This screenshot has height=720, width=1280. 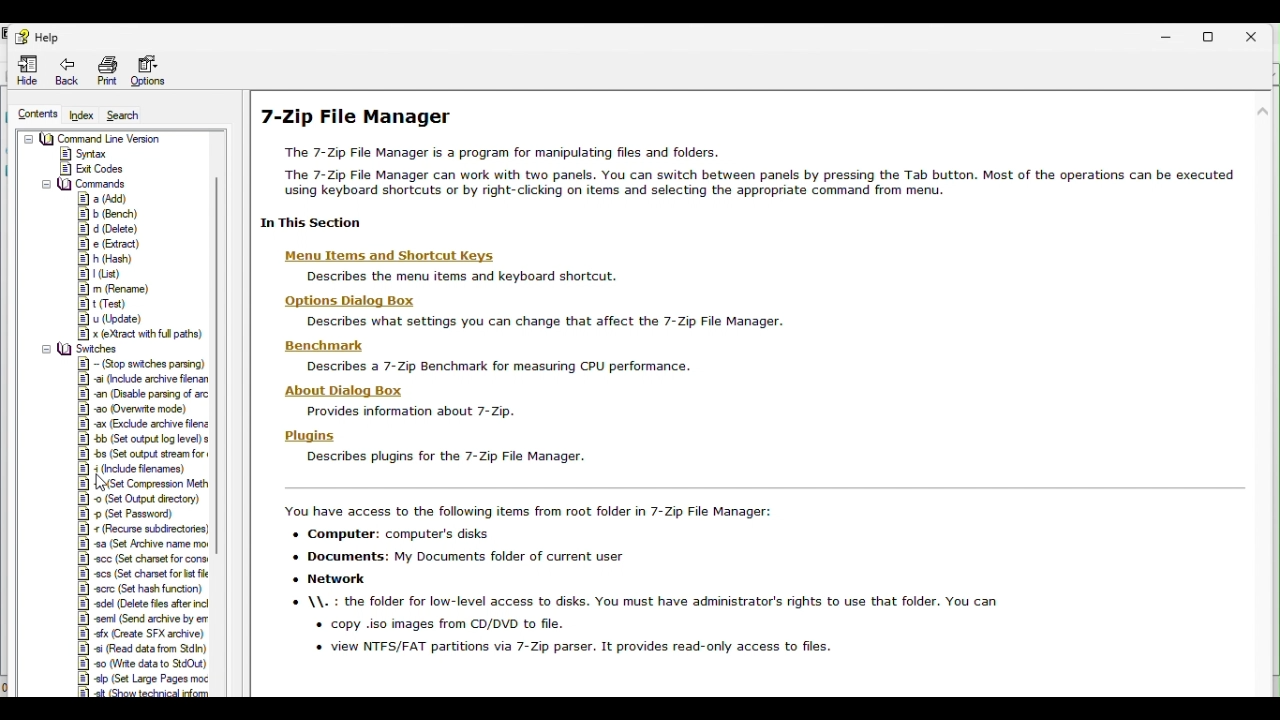 What do you see at coordinates (131, 113) in the screenshot?
I see `Search` at bounding box center [131, 113].